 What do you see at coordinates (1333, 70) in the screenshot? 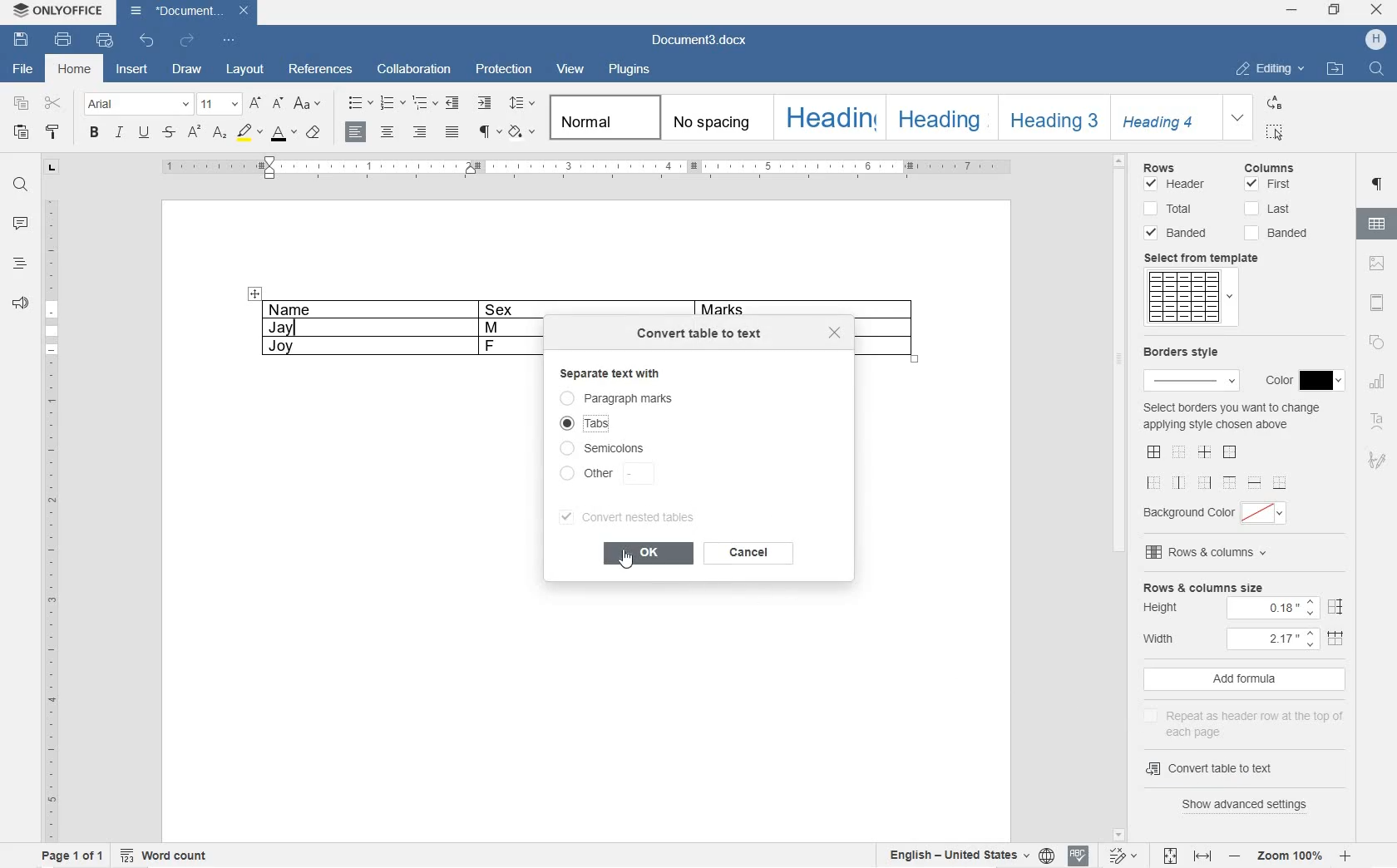
I see `OPEN FILE LOCATION` at bounding box center [1333, 70].